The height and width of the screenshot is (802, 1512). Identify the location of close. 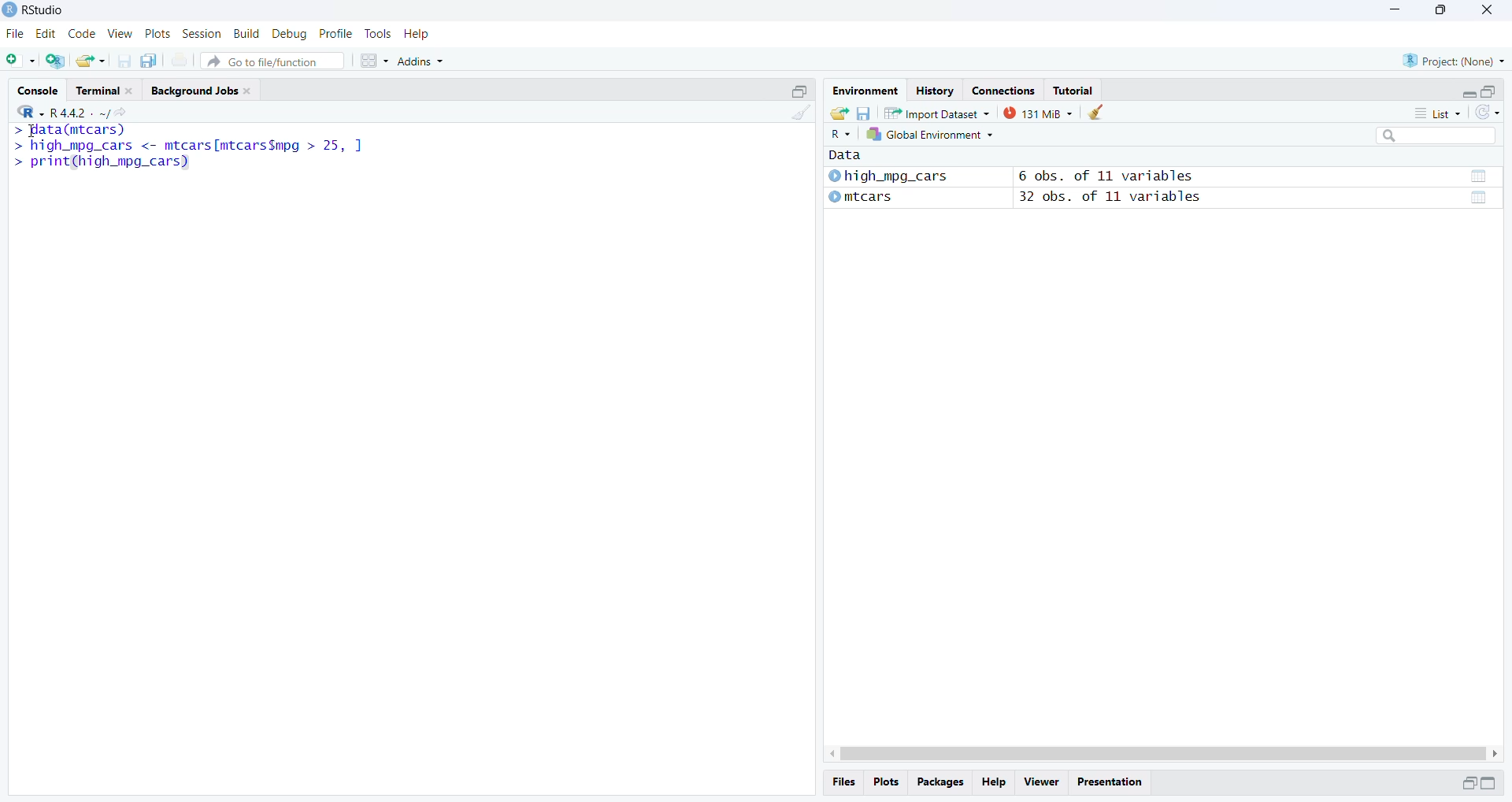
(1486, 12).